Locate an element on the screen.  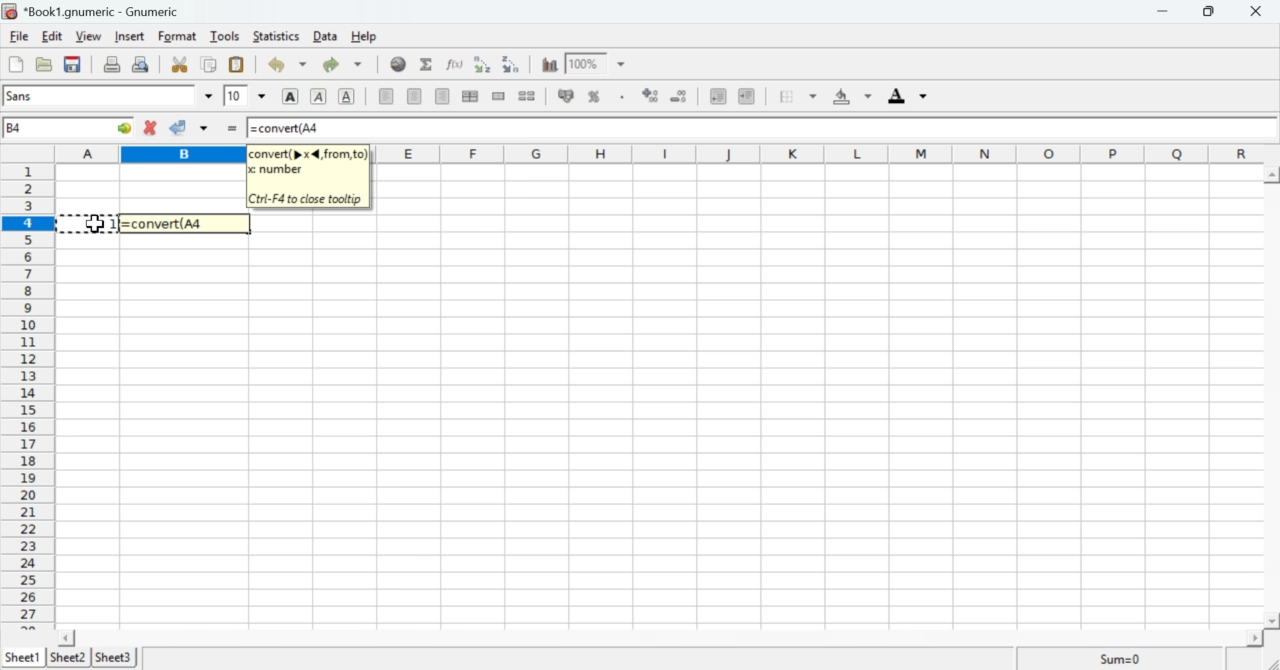
Background is located at coordinates (853, 97).